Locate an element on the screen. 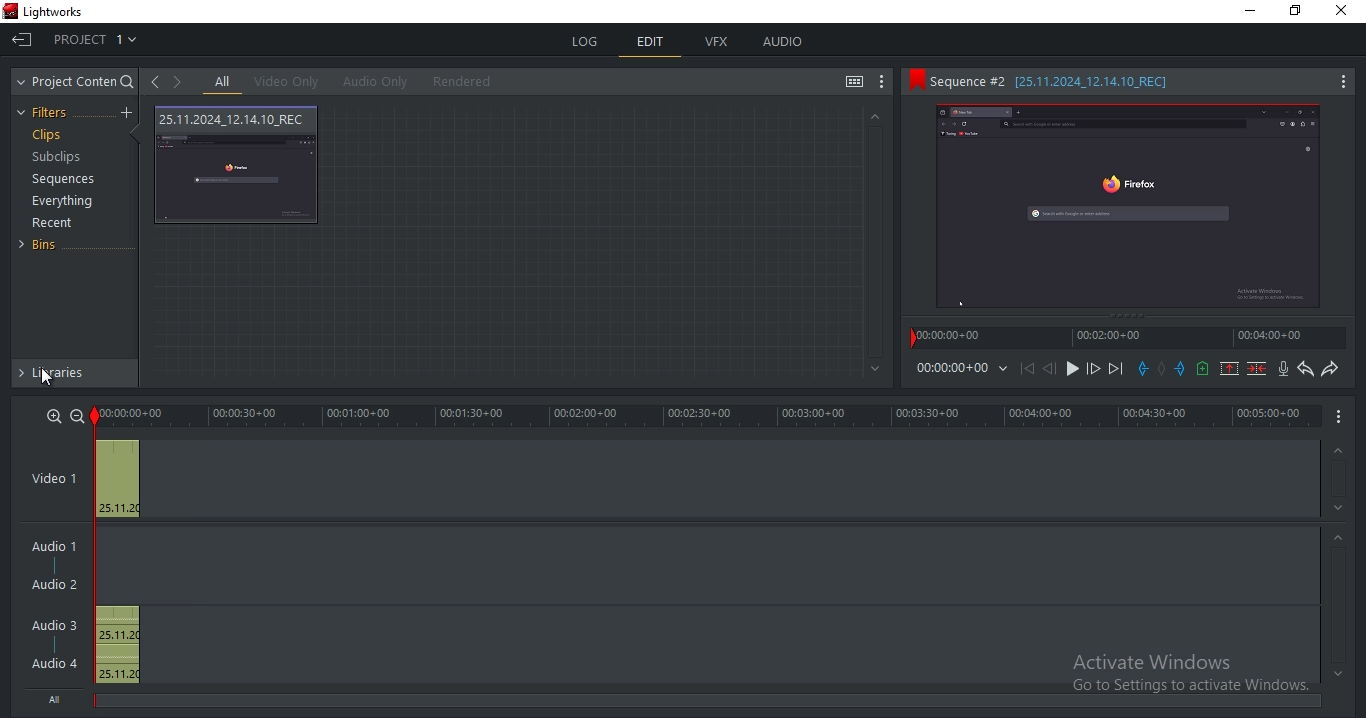 Image resolution: width=1366 pixels, height=718 pixels. sequence is located at coordinates (1128, 80).